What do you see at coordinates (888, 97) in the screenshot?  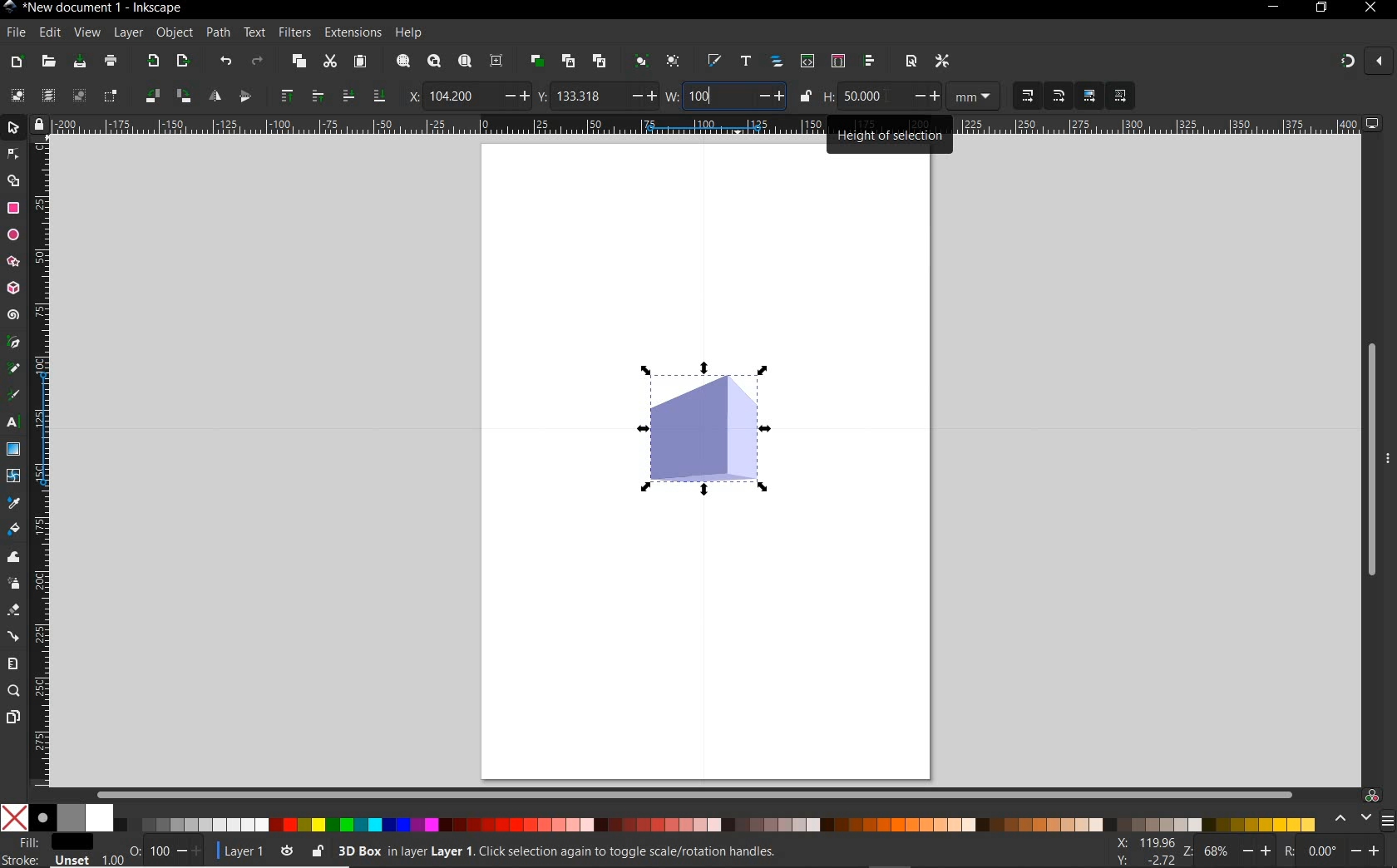 I see `cursor` at bounding box center [888, 97].